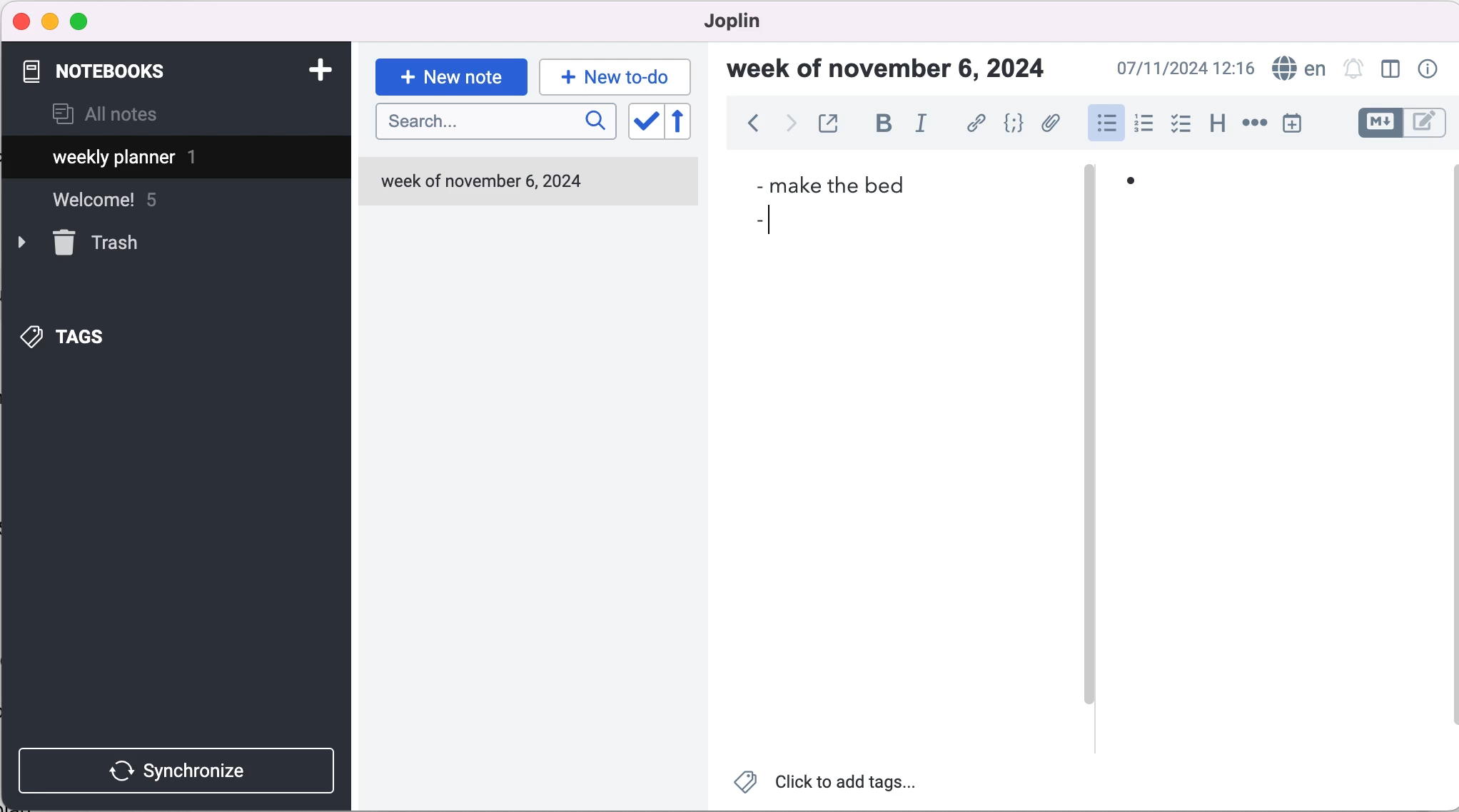  Describe the element at coordinates (22, 21) in the screenshot. I see `close` at that location.